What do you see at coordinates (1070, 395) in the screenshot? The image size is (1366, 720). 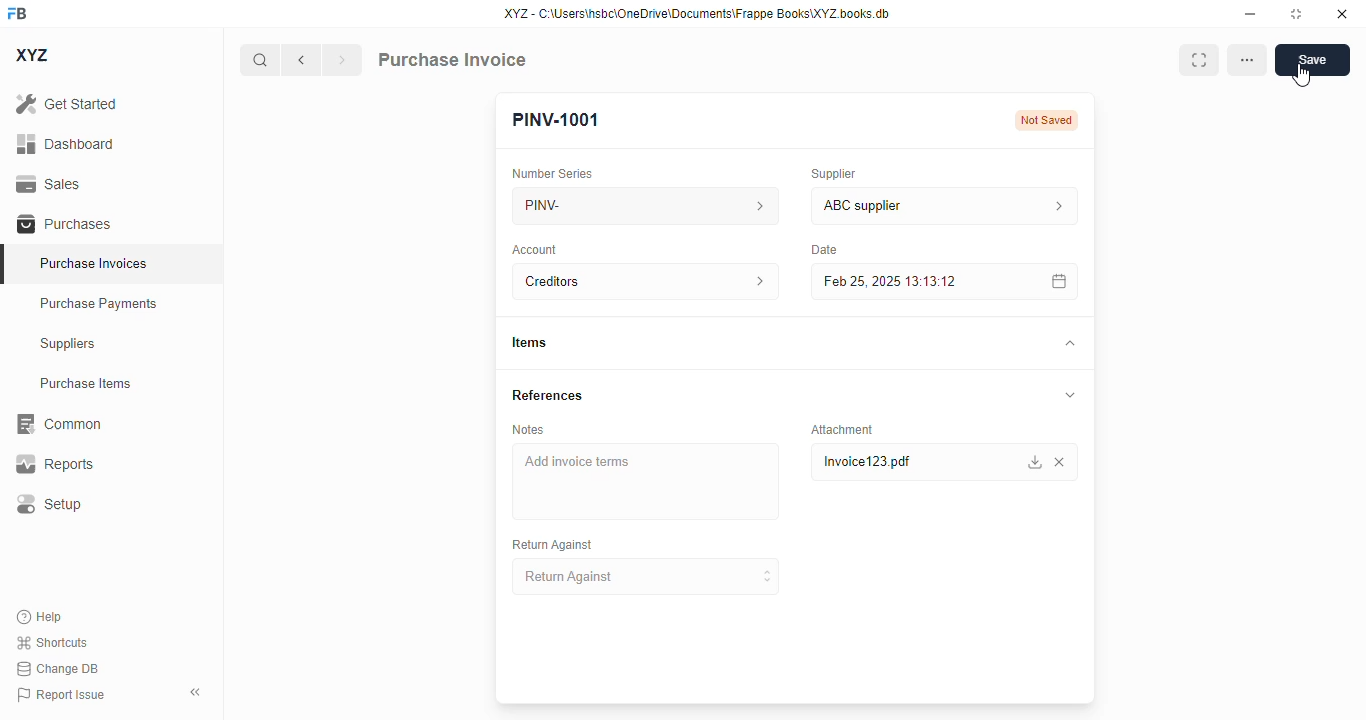 I see `toggle expand/collapse` at bounding box center [1070, 395].